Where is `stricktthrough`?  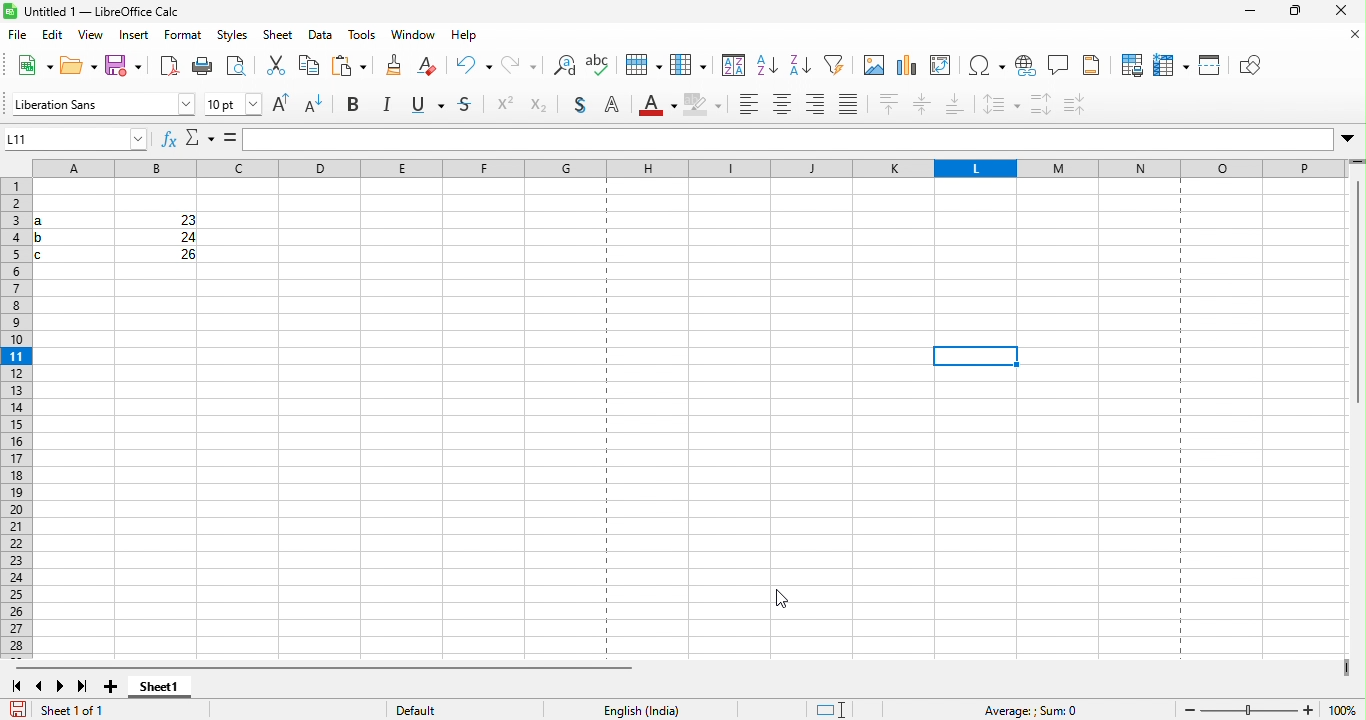
stricktthrough is located at coordinates (468, 107).